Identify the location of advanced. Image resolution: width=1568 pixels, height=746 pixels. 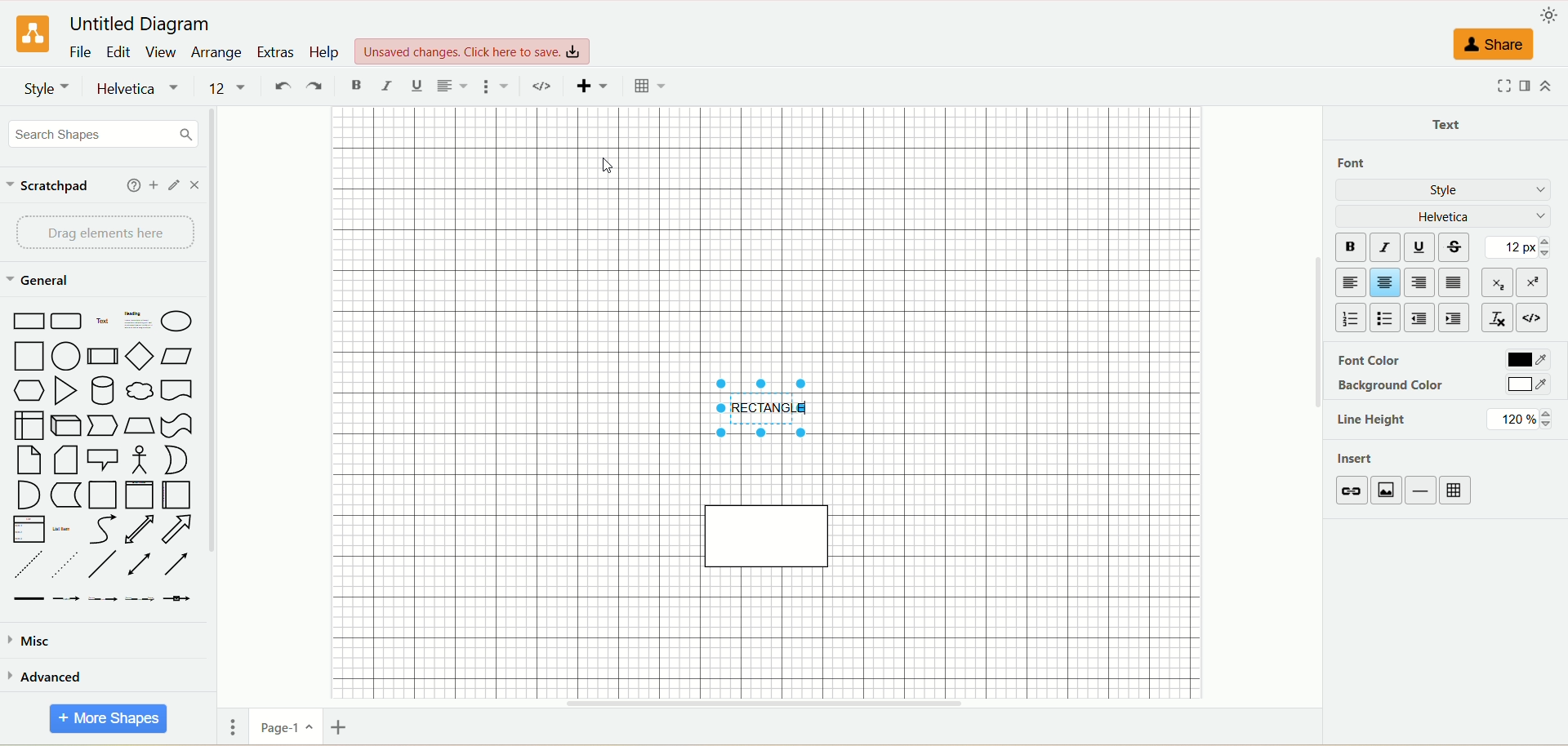
(47, 677).